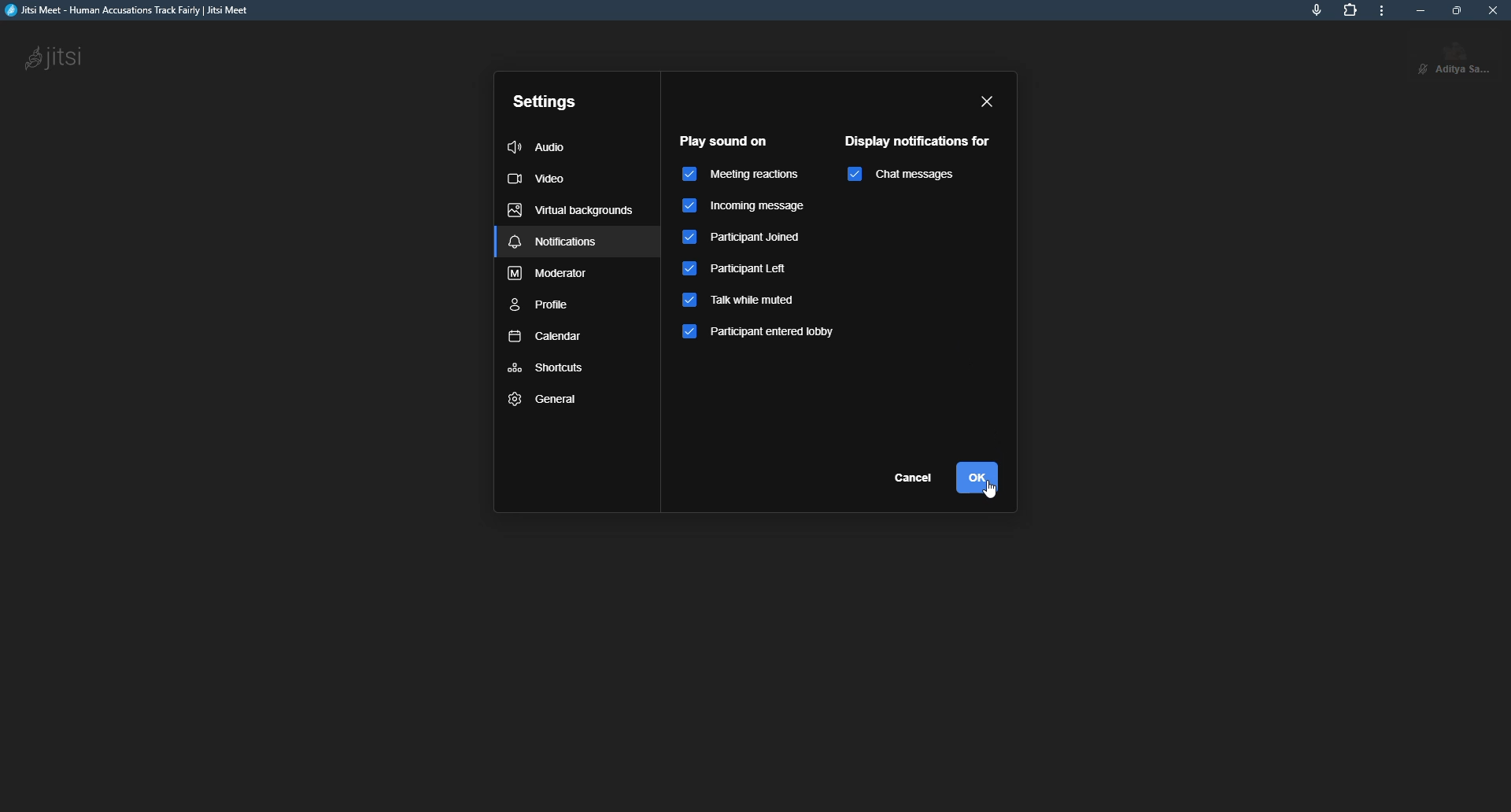 This screenshot has height=812, width=1511. Describe the element at coordinates (853, 175) in the screenshot. I see `enabled` at that location.